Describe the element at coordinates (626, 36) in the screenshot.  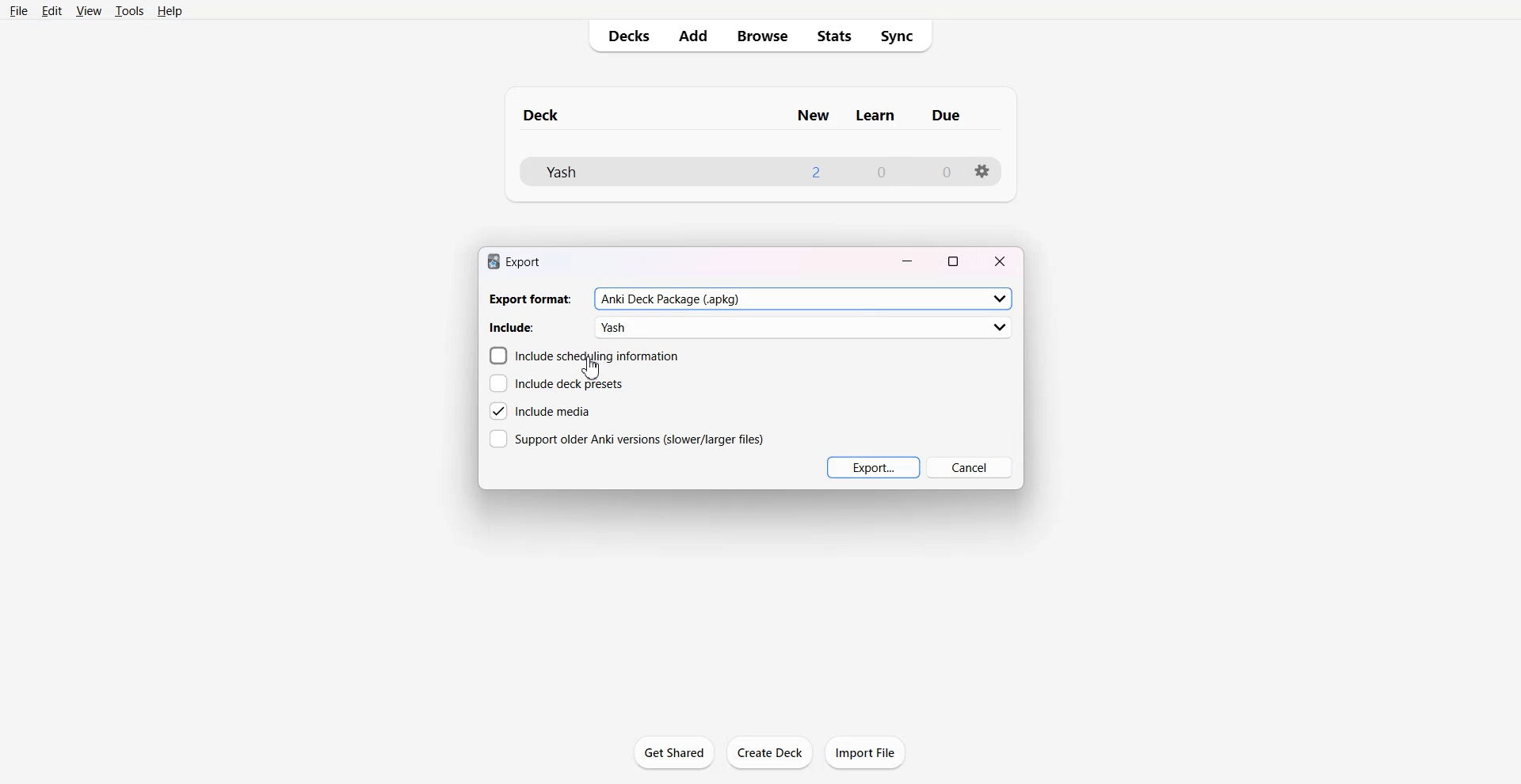
I see `Decks` at that location.